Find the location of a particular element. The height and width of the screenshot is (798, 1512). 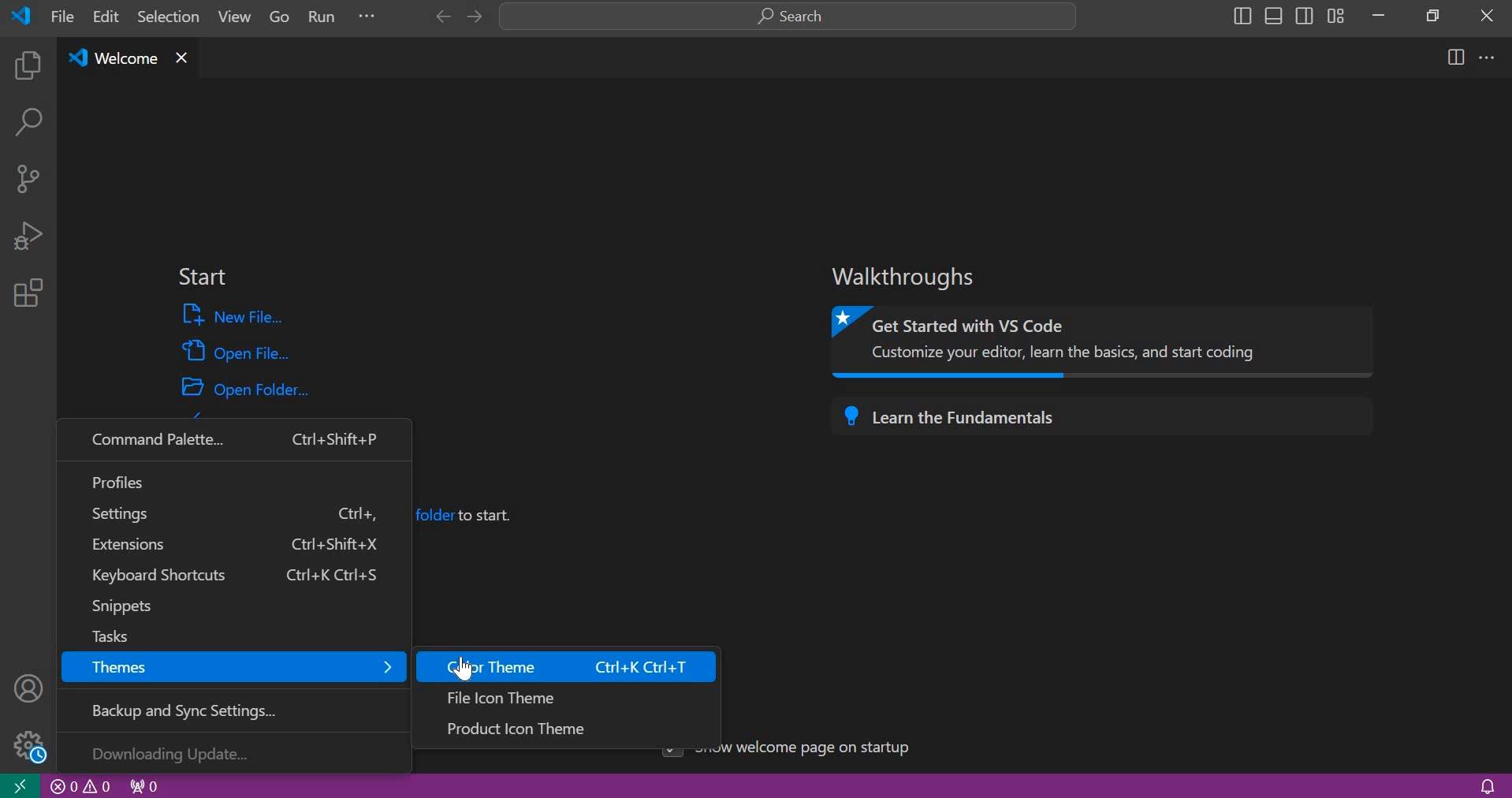

source control is located at coordinates (28, 177).